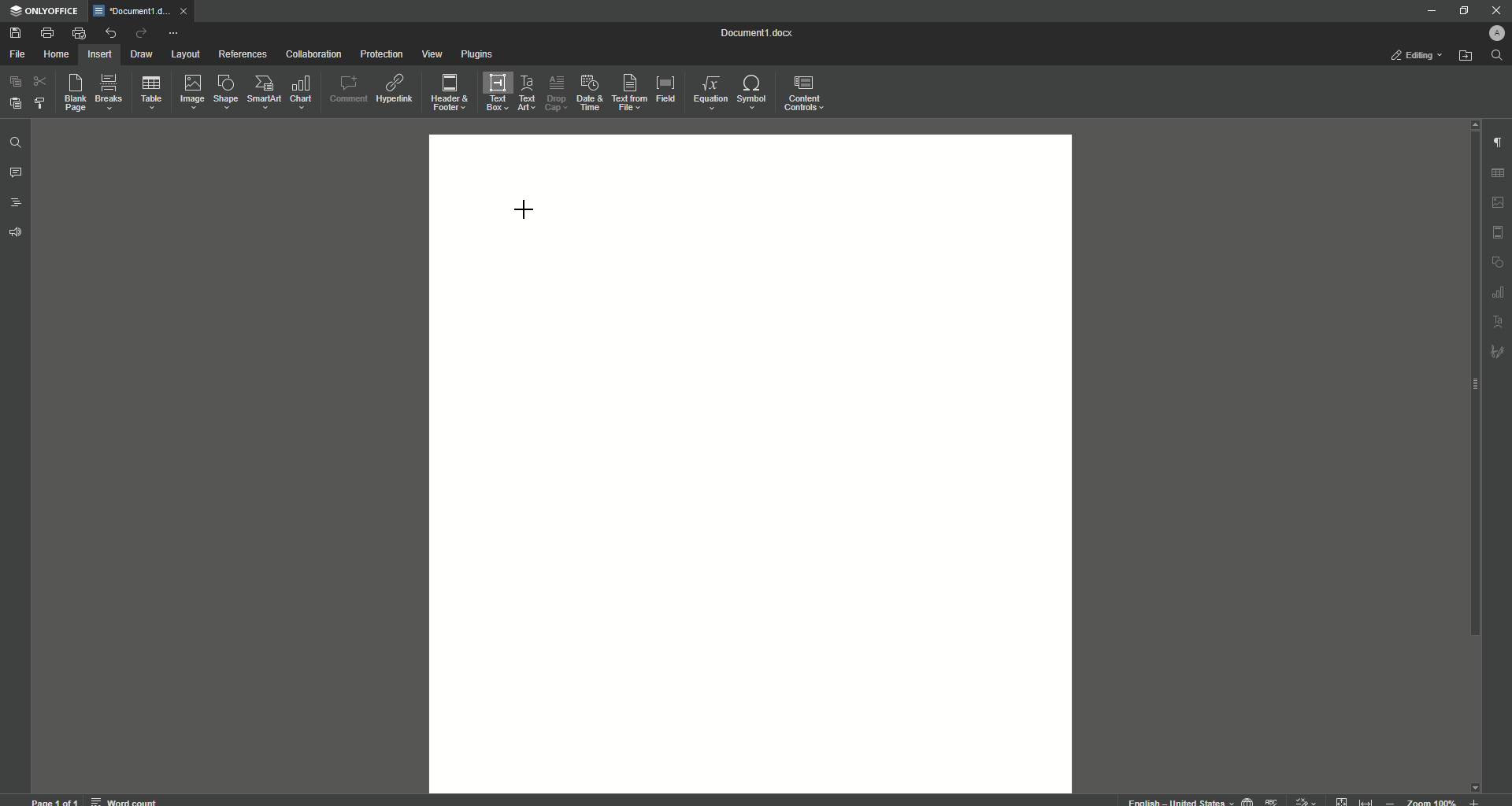 The height and width of the screenshot is (806, 1512). I want to click on View, so click(431, 55).